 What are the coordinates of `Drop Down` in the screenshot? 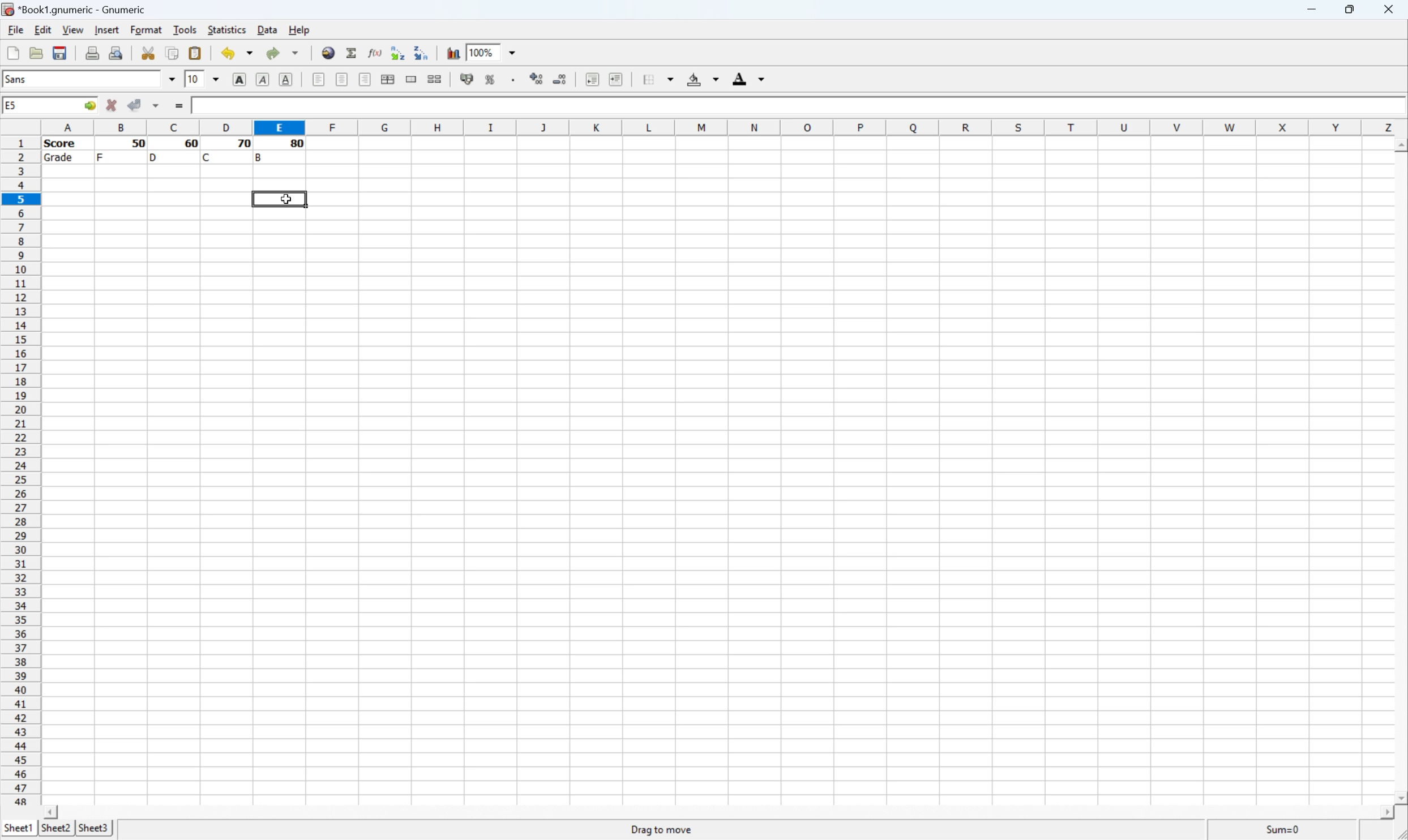 It's located at (511, 54).